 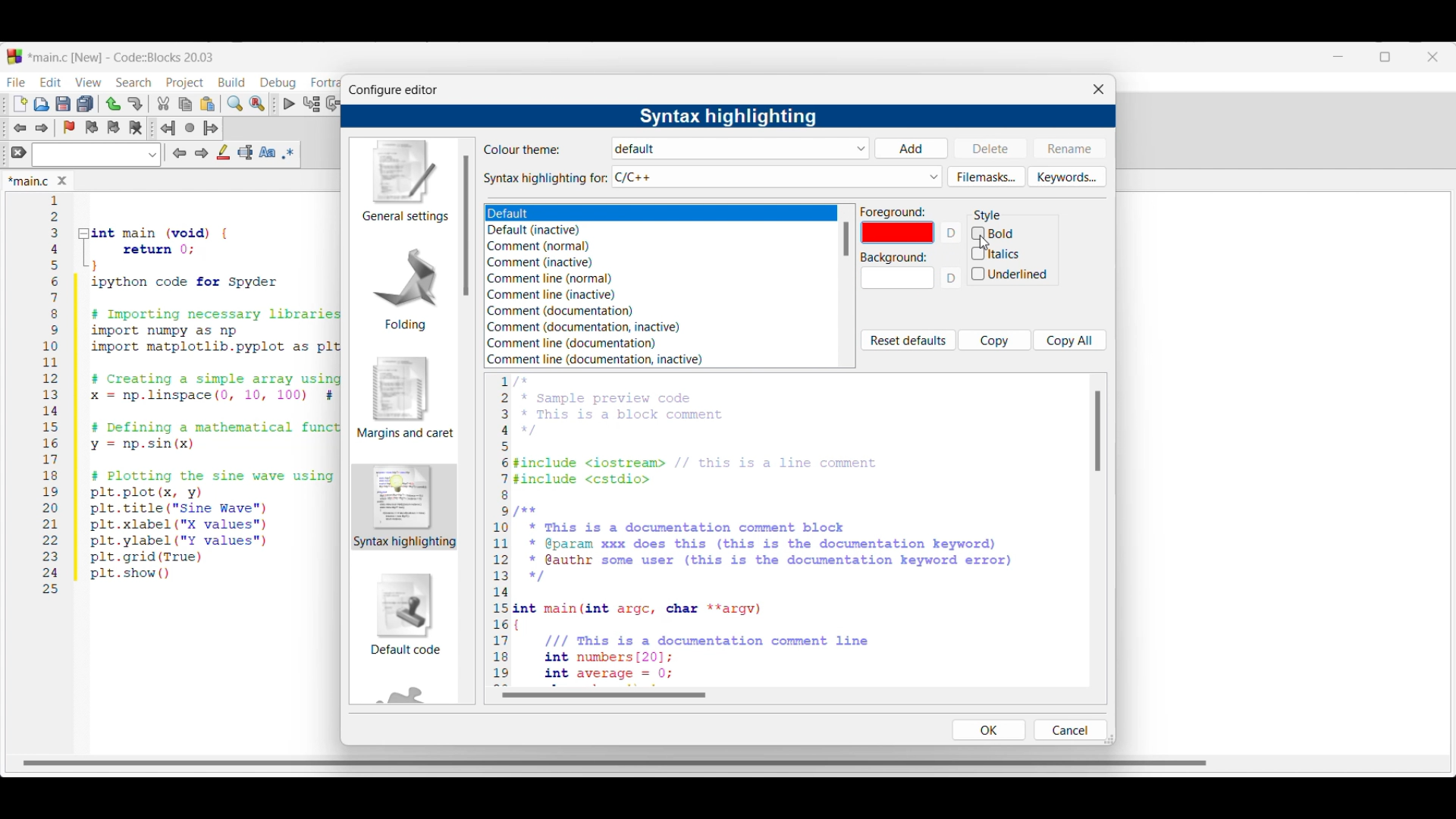 What do you see at coordinates (278, 83) in the screenshot?
I see `Debug menu` at bounding box center [278, 83].